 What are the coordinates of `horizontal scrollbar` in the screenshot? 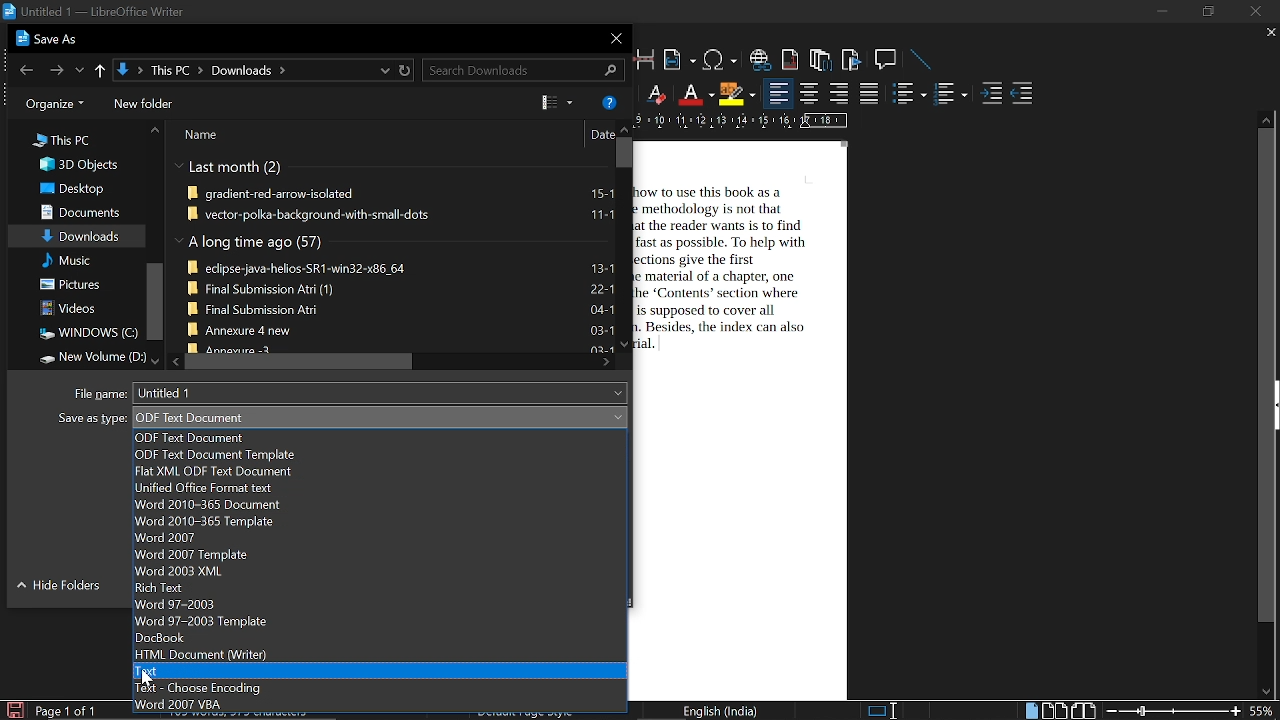 It's located at (297, 362).